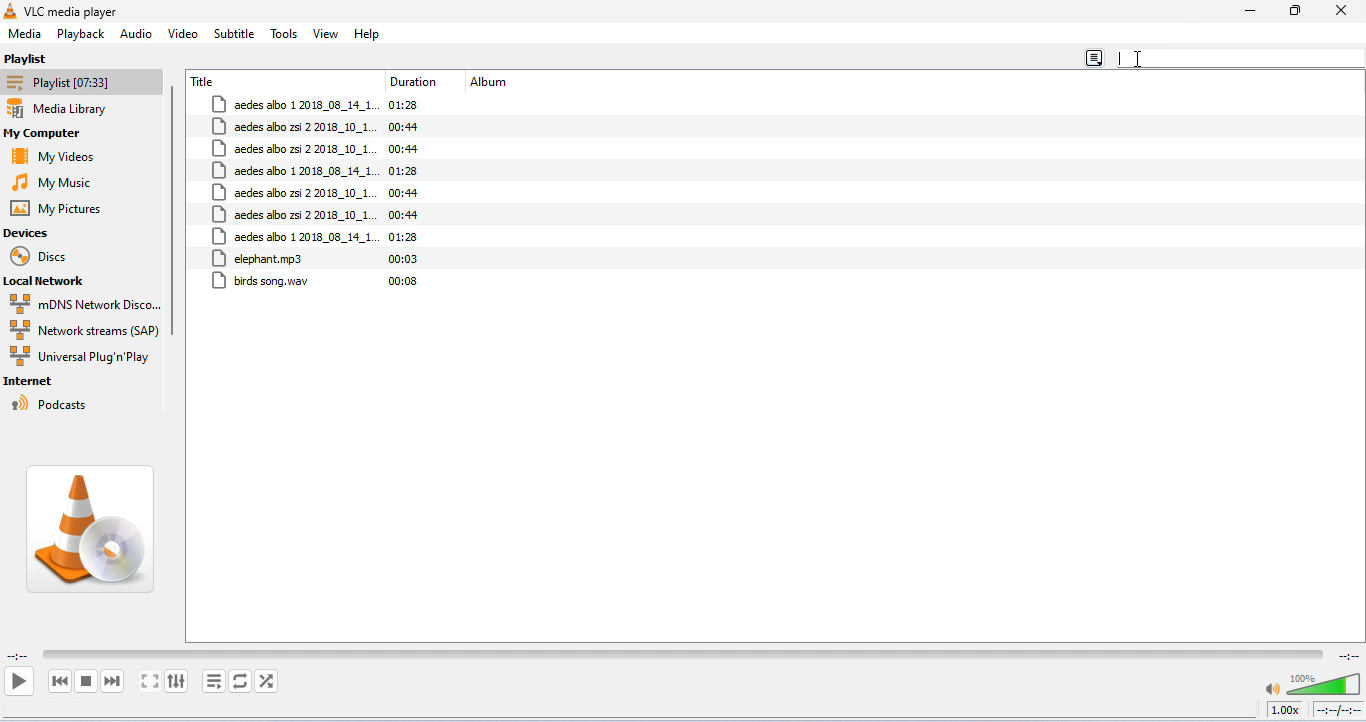 The height and width of the screenshot is (722, 1366). Describe the element at coordinates (260, 258) in the screenshot. I see `elephant.mp3` at that location.